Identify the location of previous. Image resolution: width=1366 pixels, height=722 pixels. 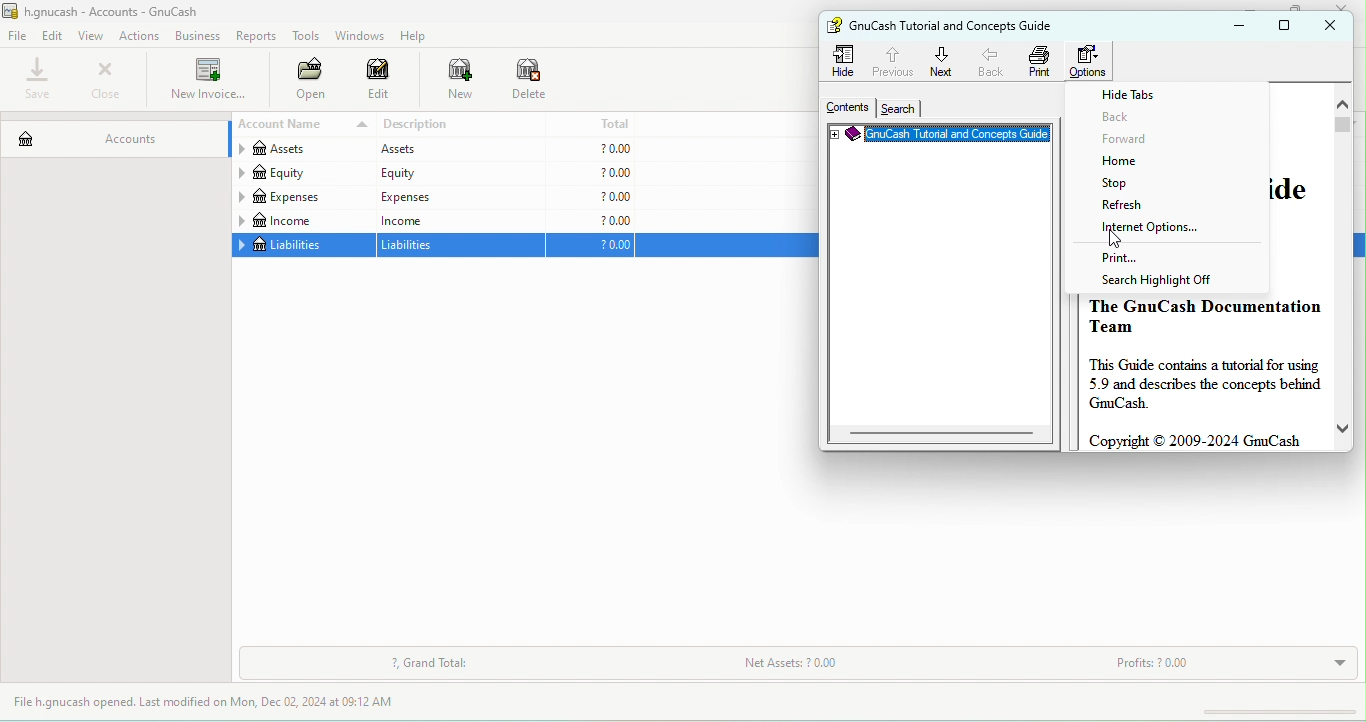
(891, 59).